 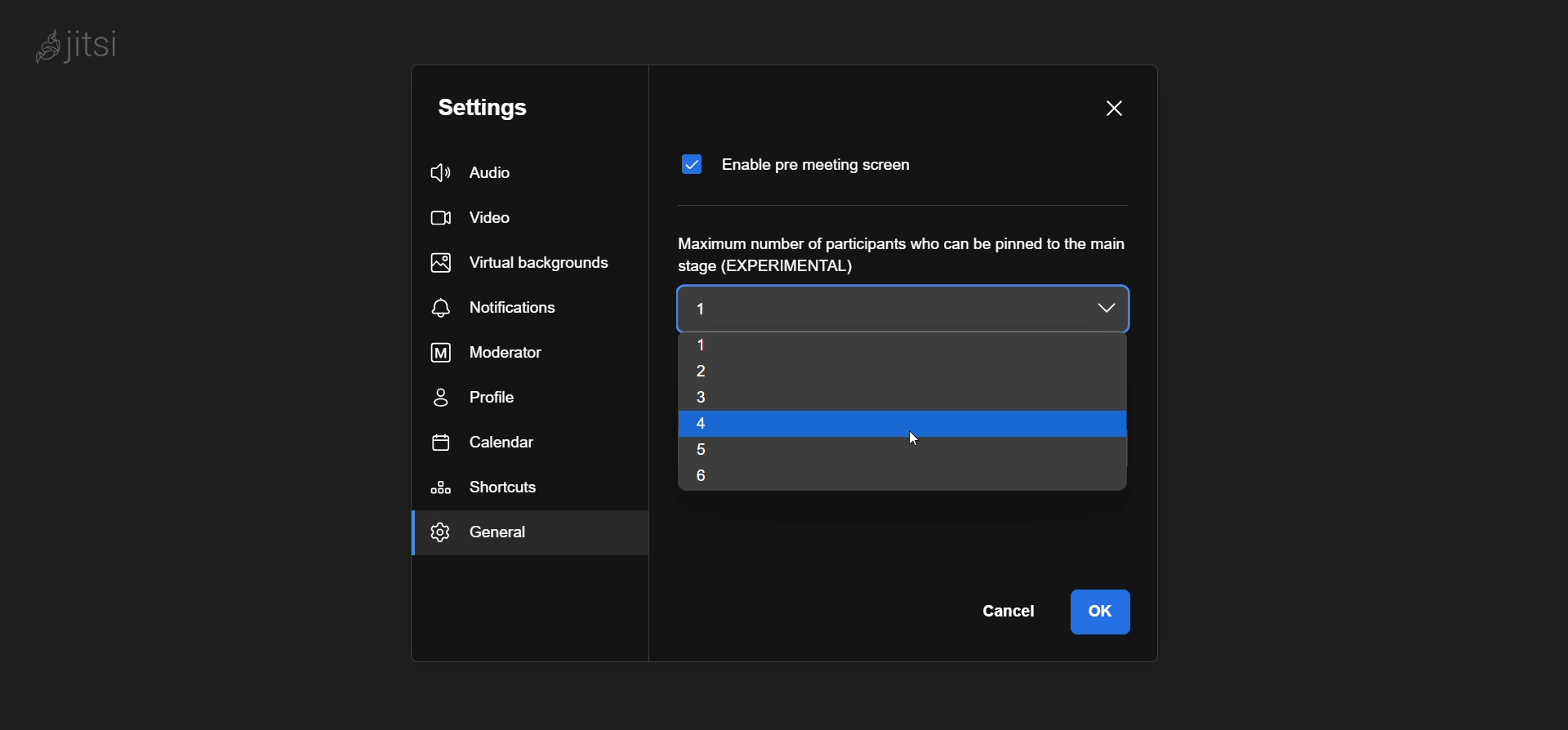 I want to click on 1, so click(x=754, y=345).